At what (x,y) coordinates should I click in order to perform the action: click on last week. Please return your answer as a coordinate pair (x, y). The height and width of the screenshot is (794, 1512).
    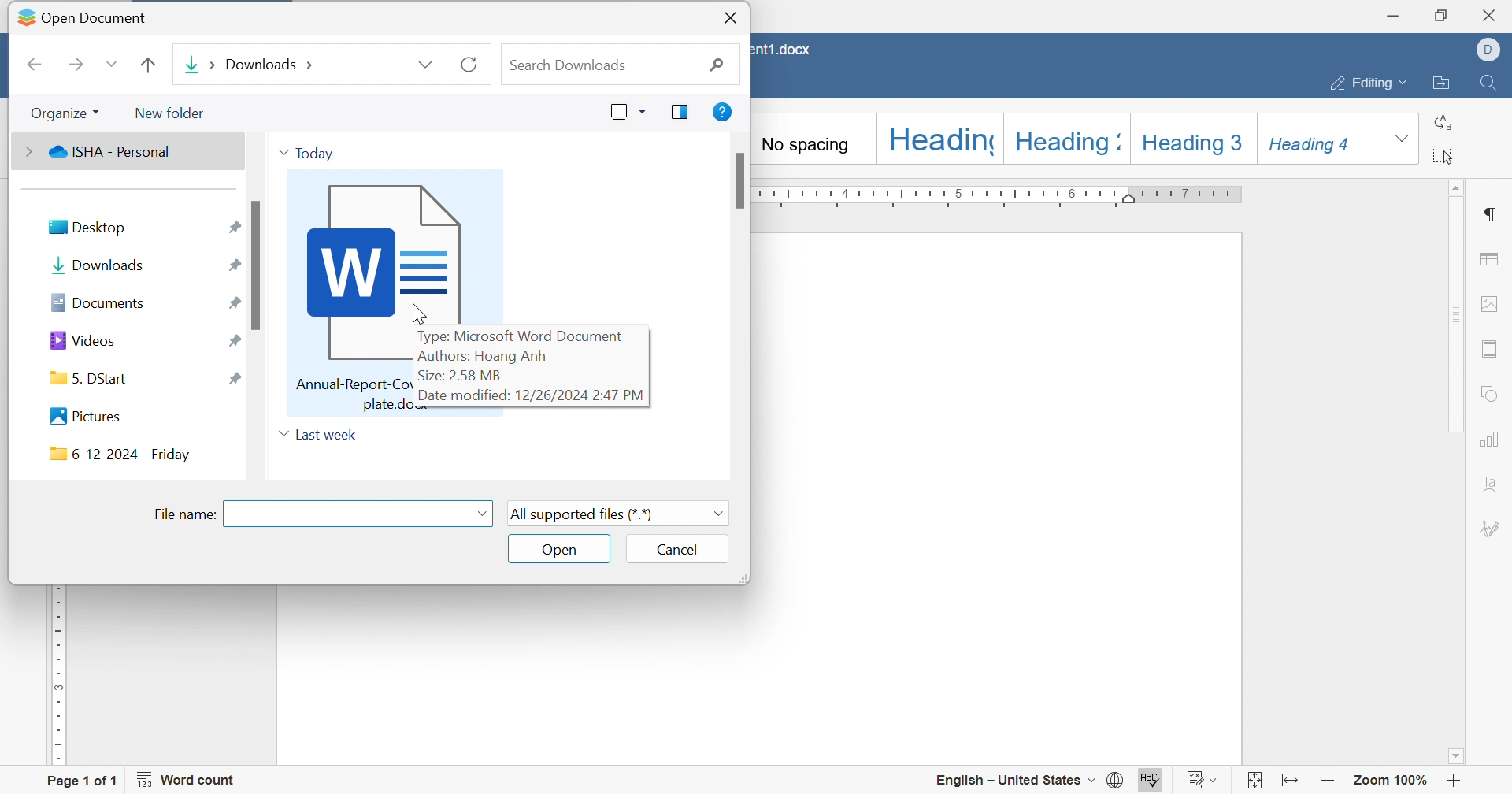
    Looking at the image, I should click on (319, 432).